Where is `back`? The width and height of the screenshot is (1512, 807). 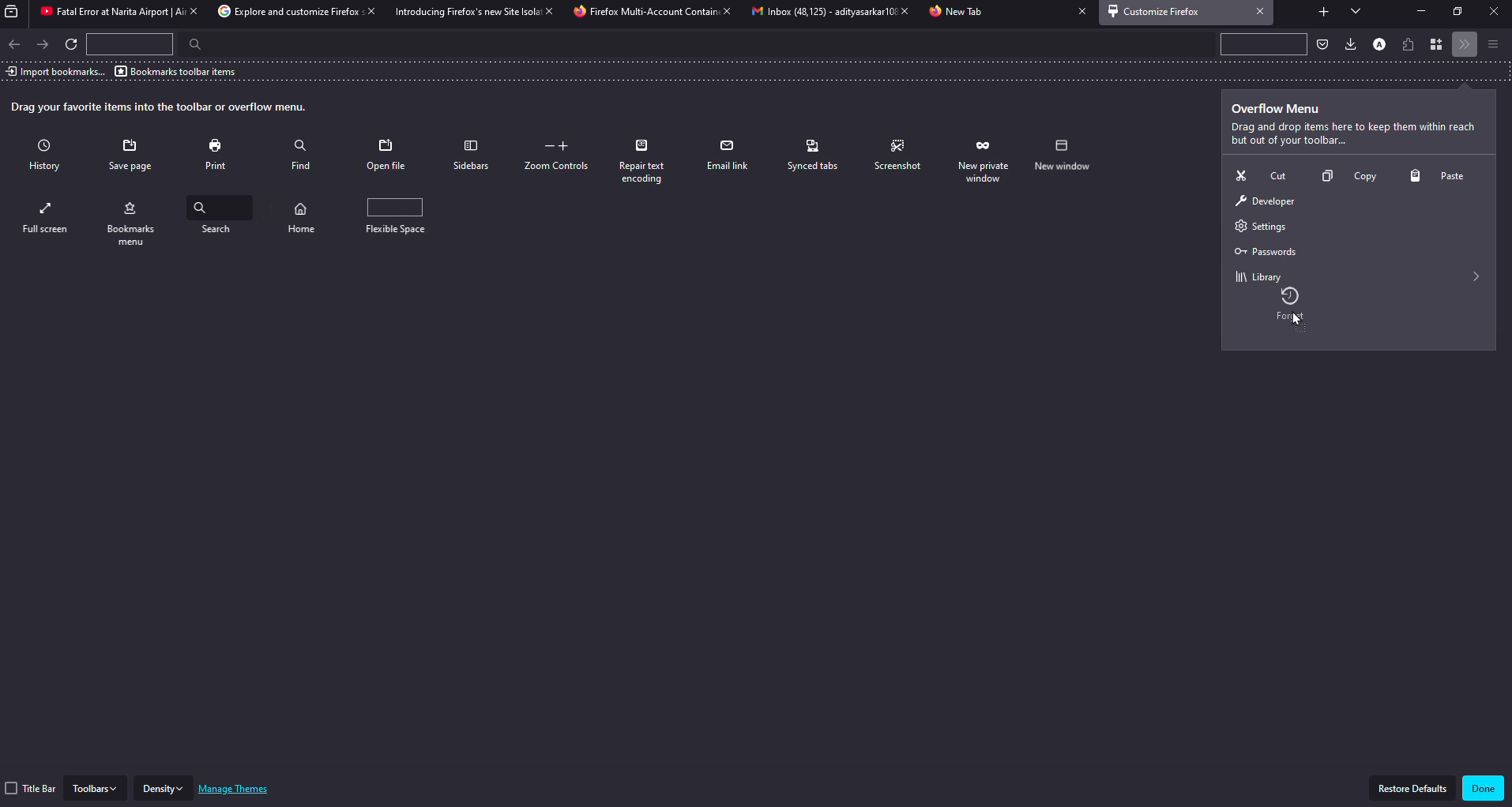 back is located at coordinates (15, 44).